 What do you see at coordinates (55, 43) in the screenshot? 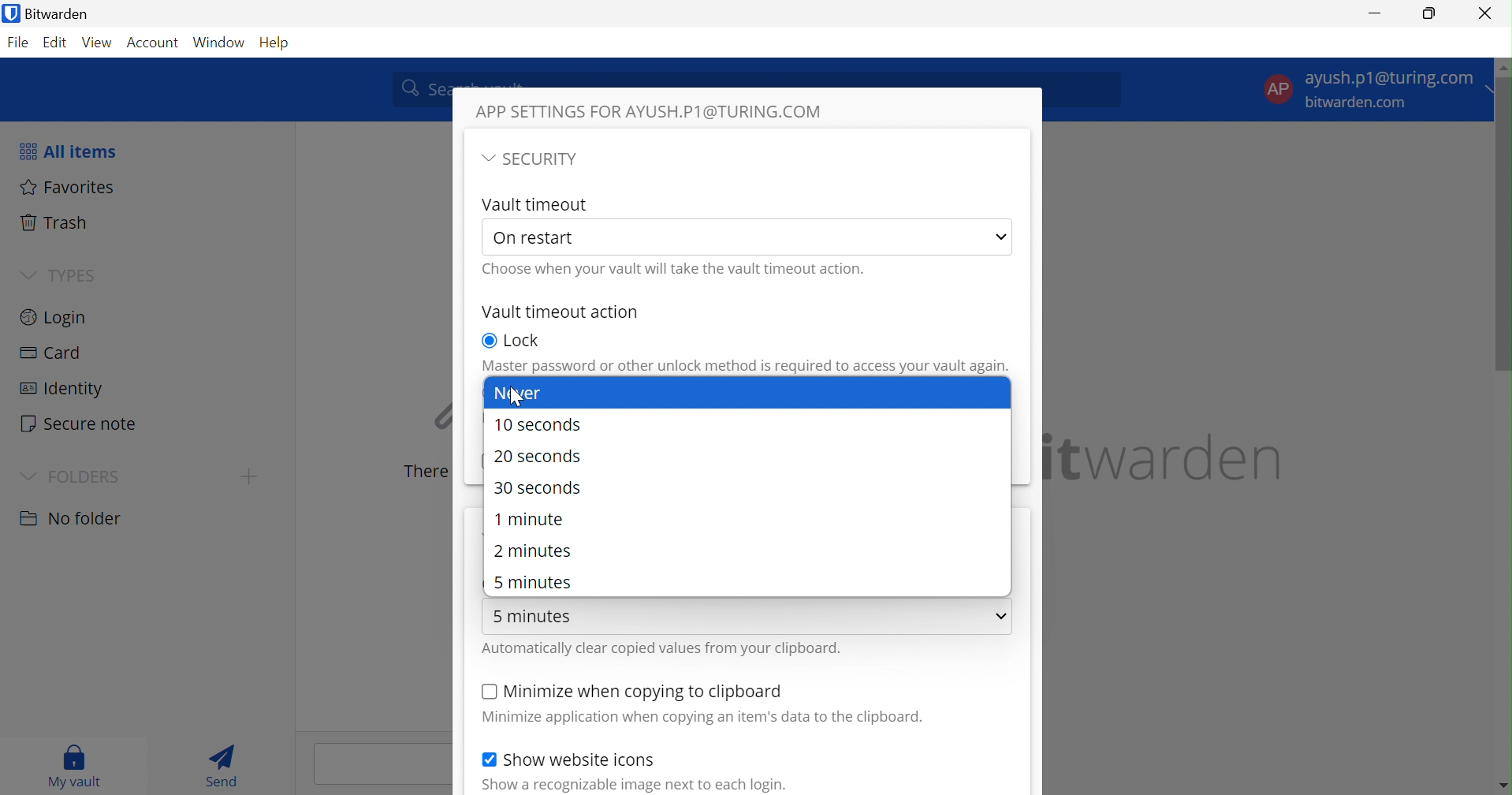
I see `Edit` at bounding box center [55, 43].